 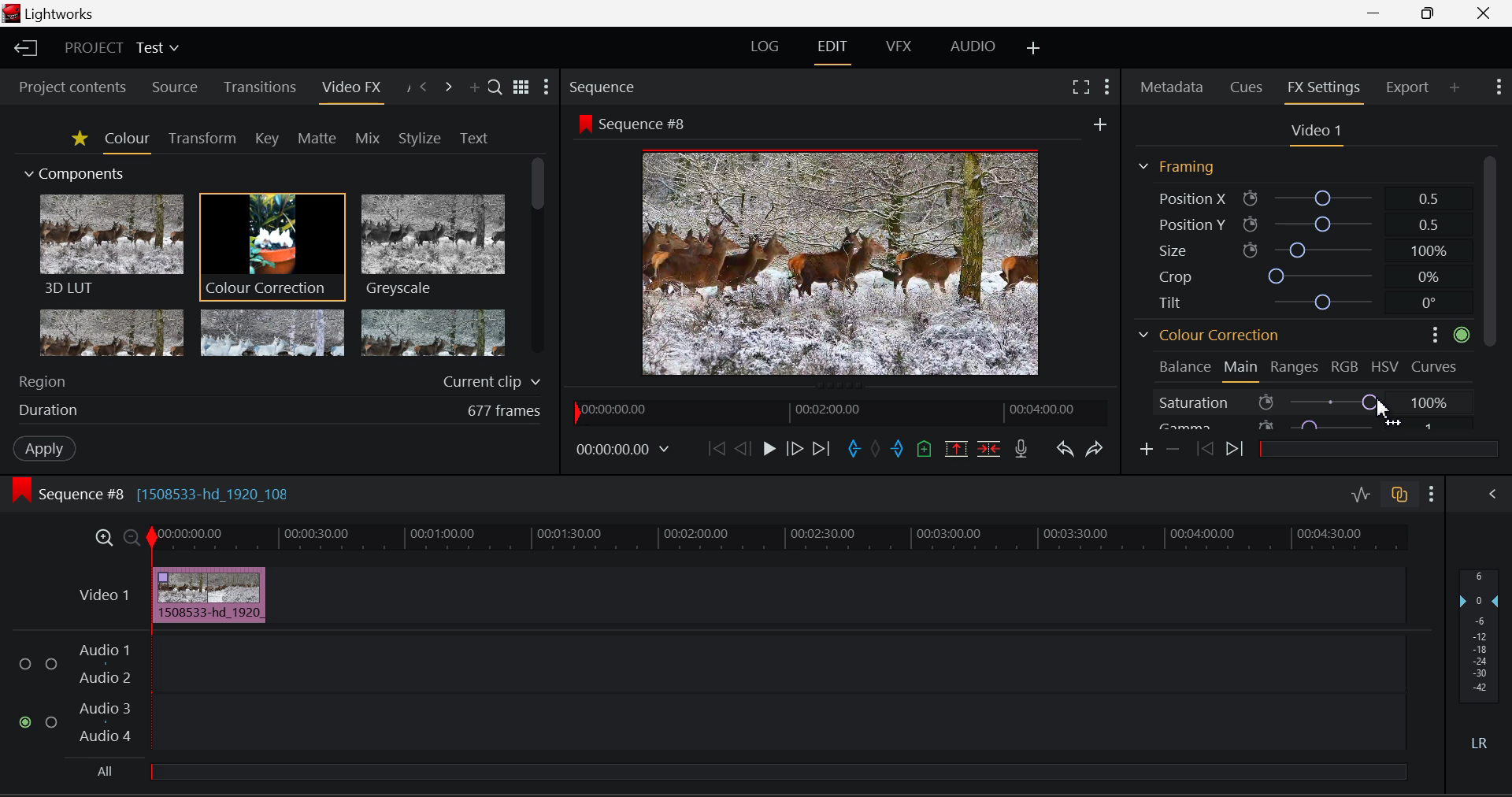 I want to click on Stylize, so click(x=421, y=138).